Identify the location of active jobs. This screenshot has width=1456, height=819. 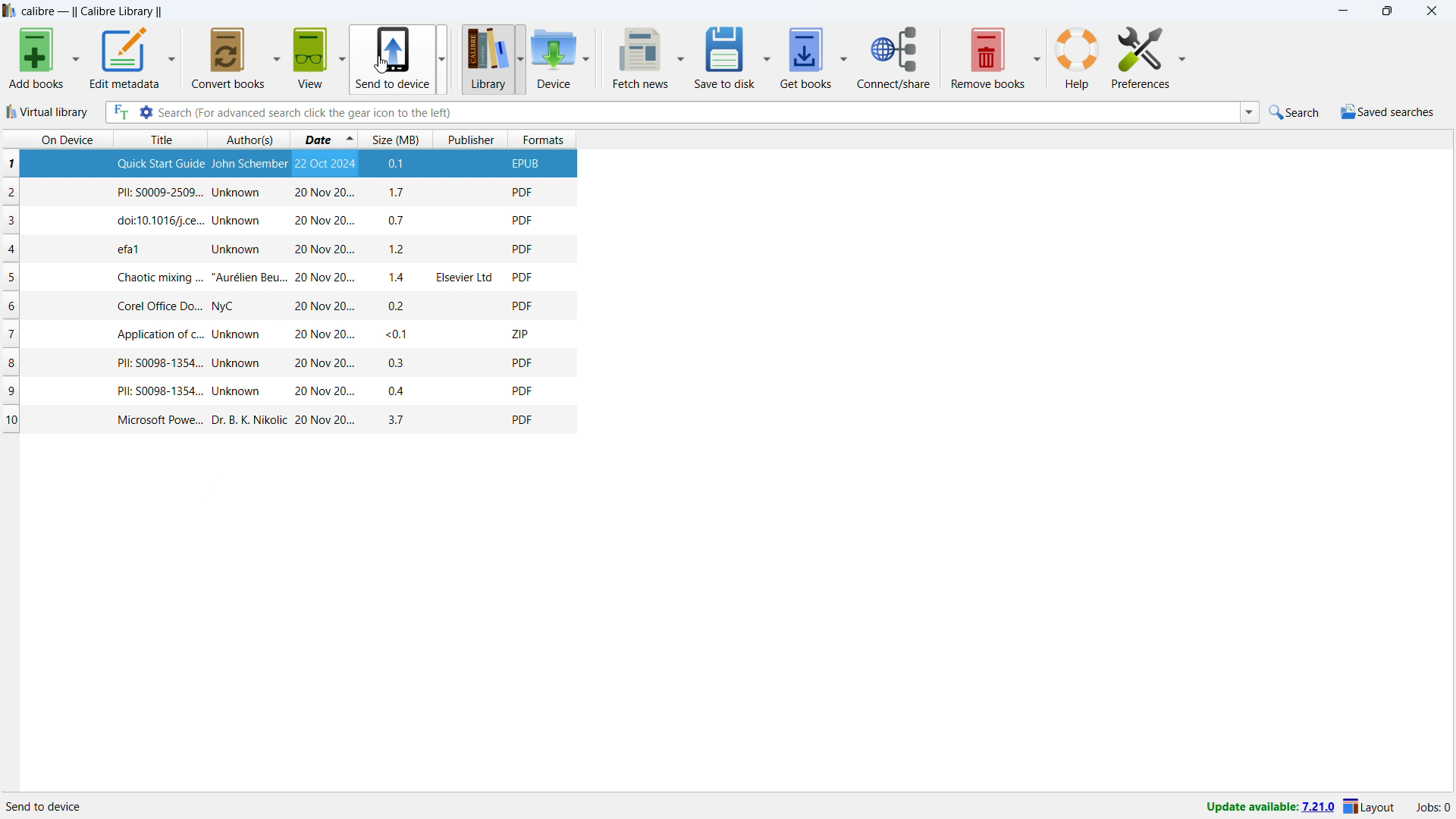
(1434, 809).